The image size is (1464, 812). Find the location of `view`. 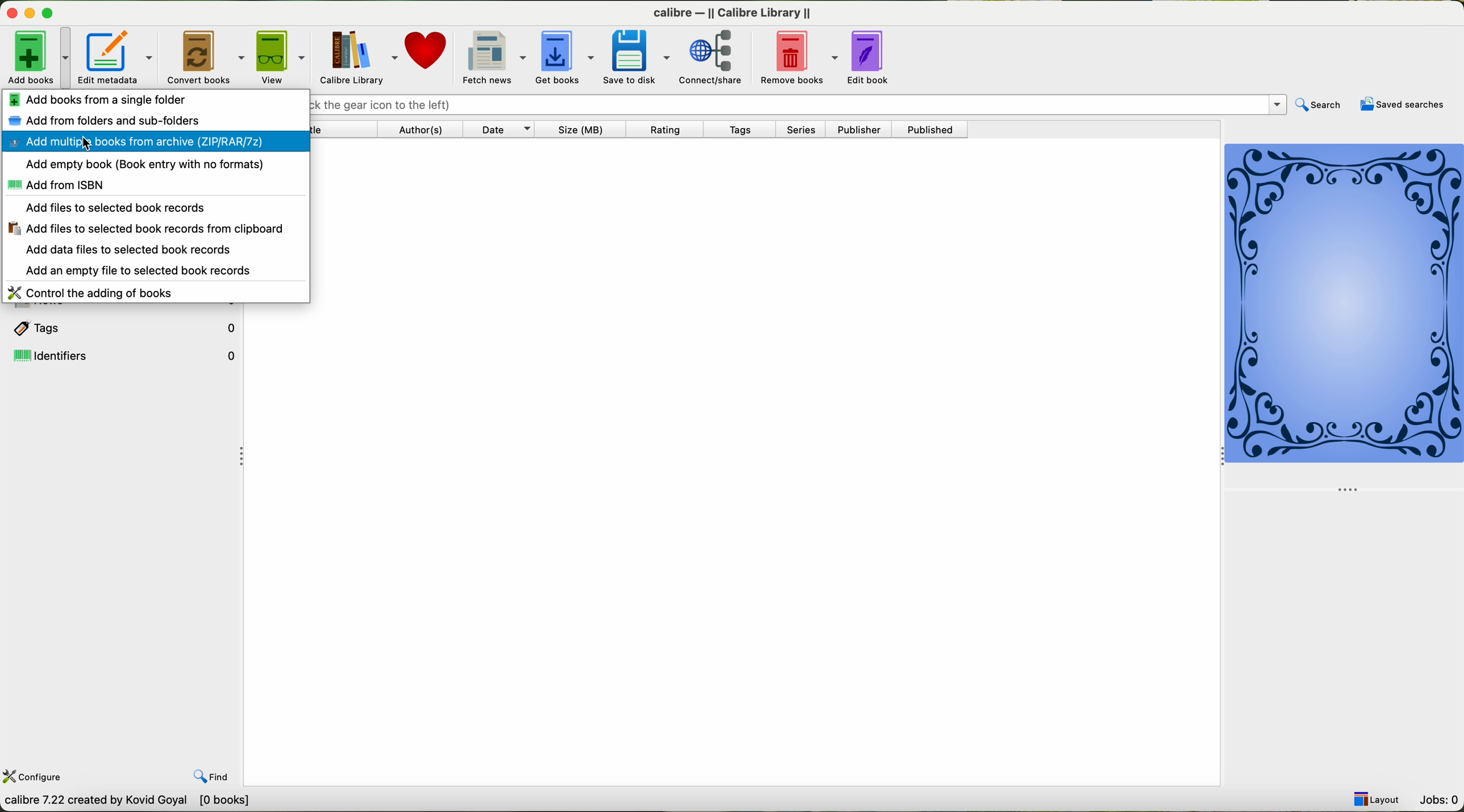

view is located at coordinates (281, 57).